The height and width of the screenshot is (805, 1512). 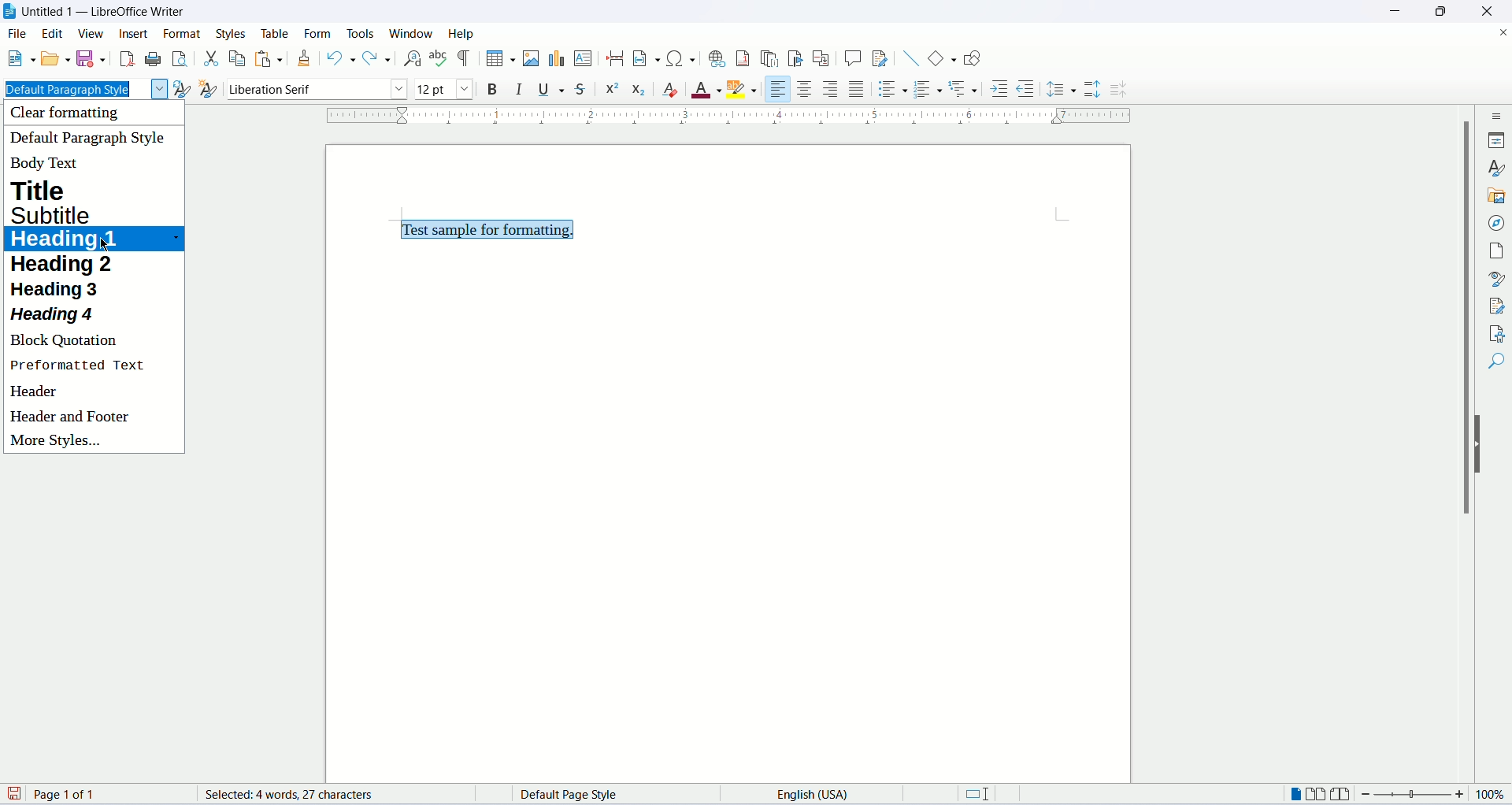 What do you see at coordinates (44, 166) in the screenshot?
I see `body text` at bounding box center [44, 166].